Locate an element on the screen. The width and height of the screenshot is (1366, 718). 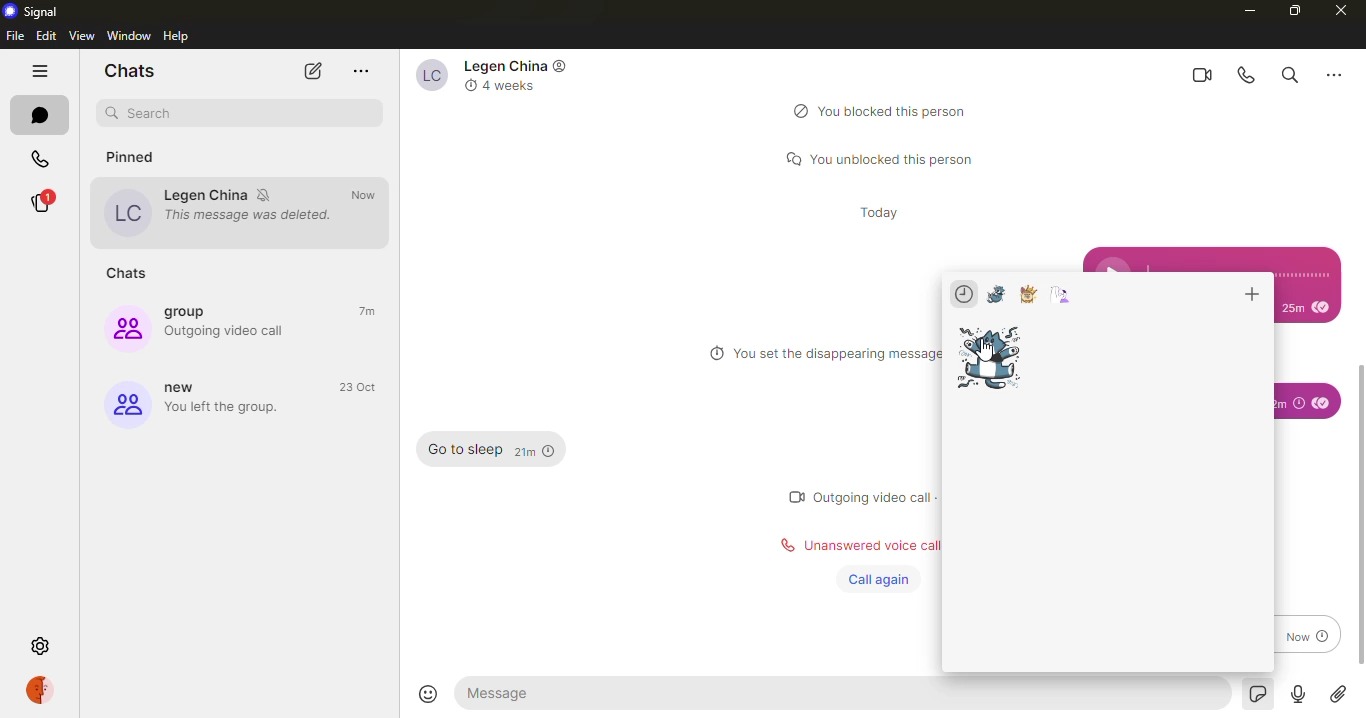
sticker type is located at coordinates (996, 295).